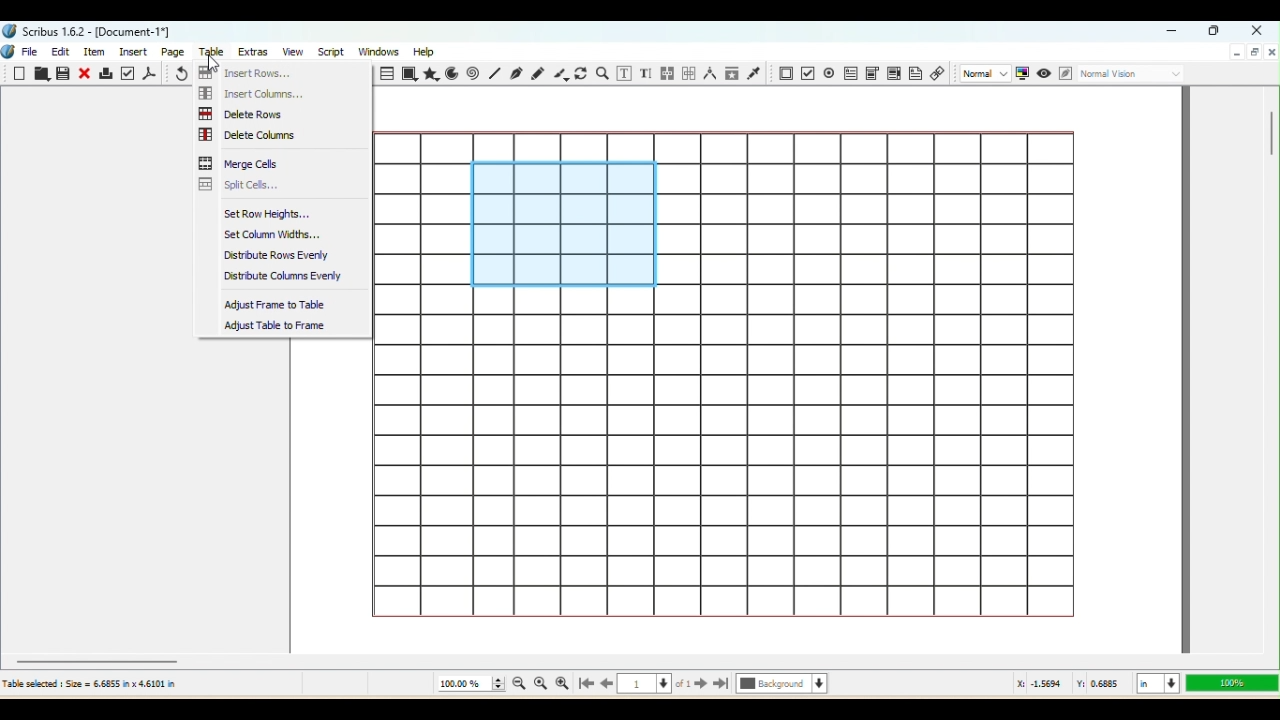 This screenshot has height=720, width=1280. Describe the element at coordinates (216, 67) in the screenshot. I see `cursor` at that location.